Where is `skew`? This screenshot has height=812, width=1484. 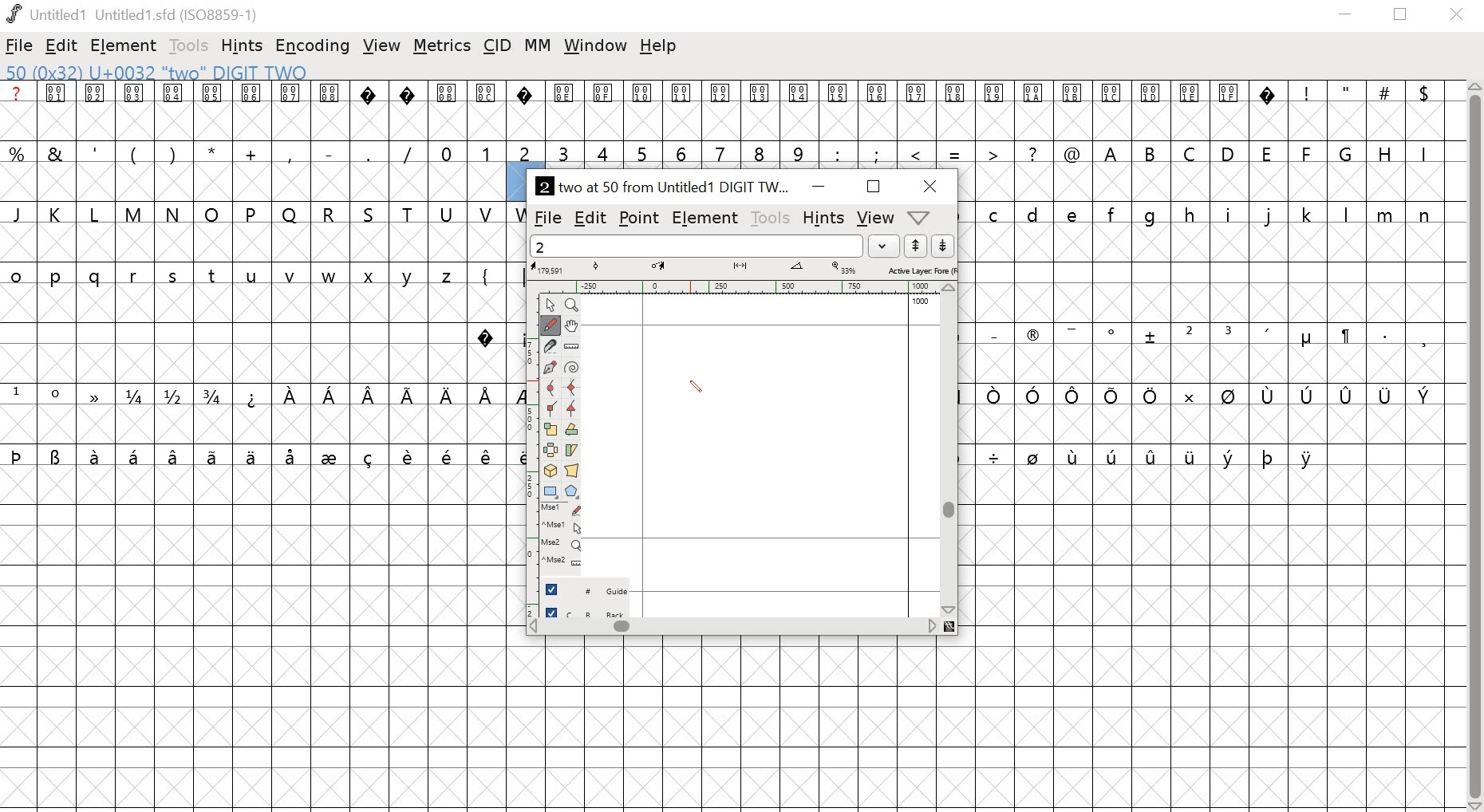
skew is located at coordinates (571, 451).